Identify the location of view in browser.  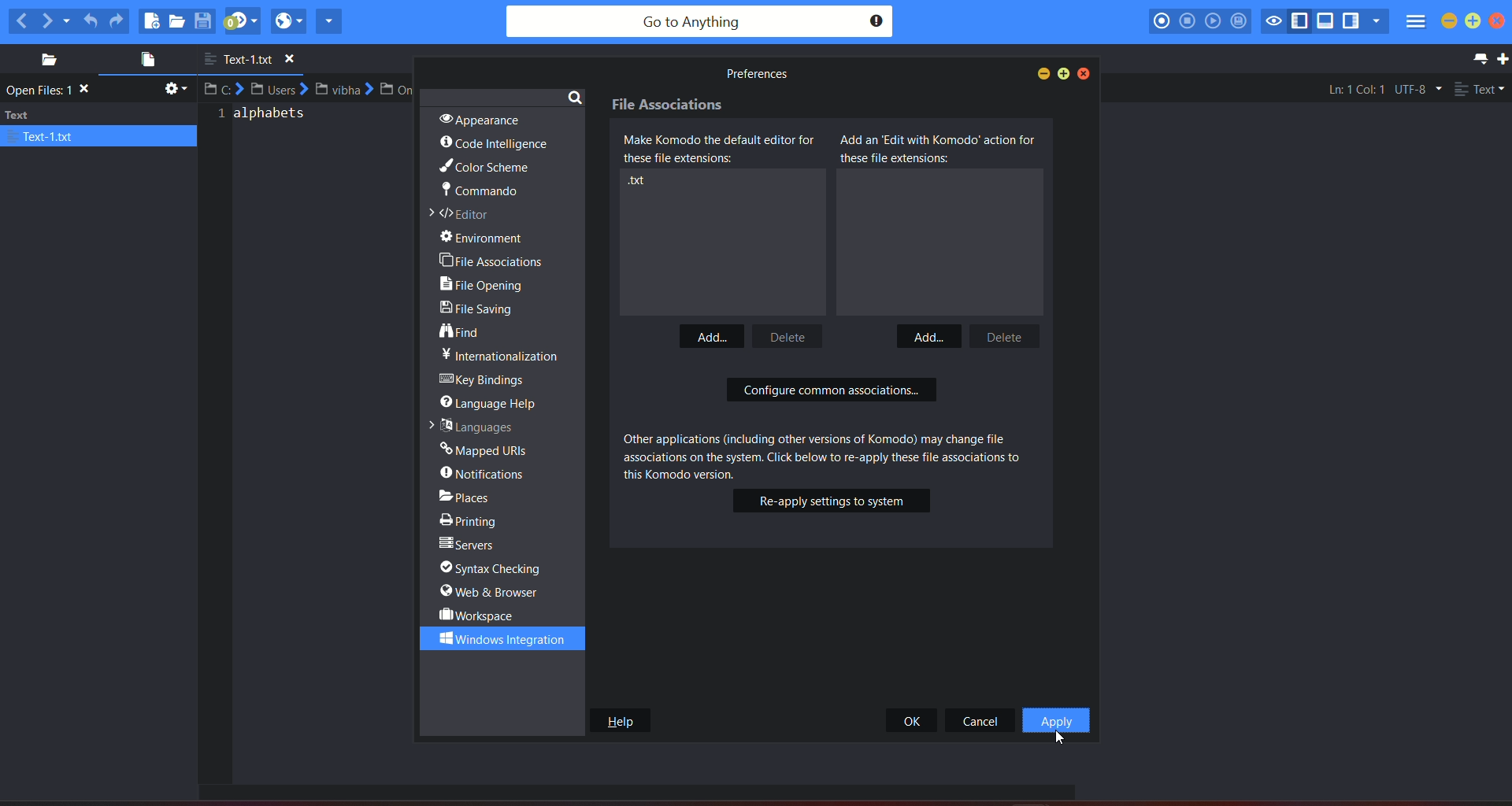
(288, 20).